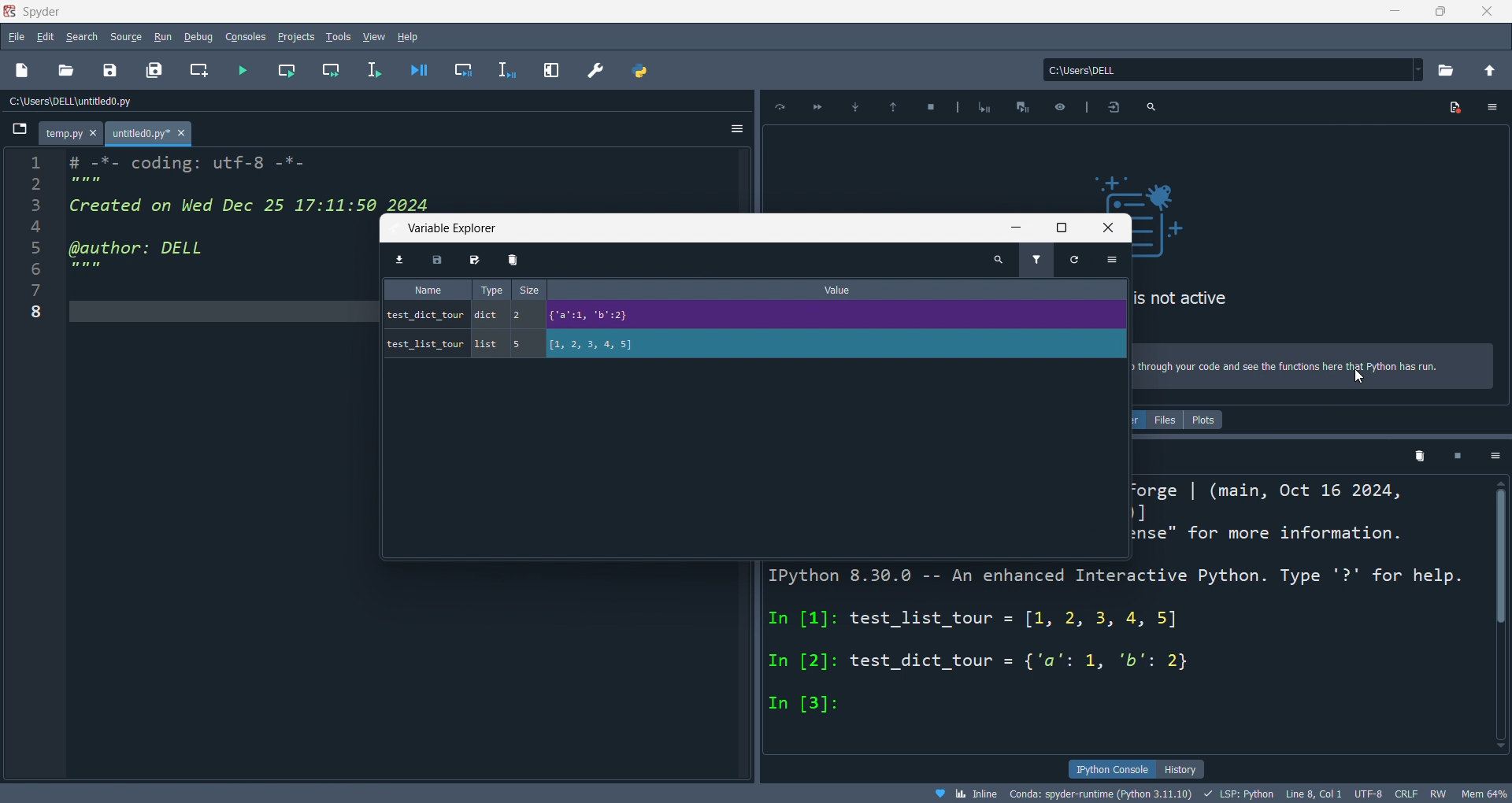 This screenshot has height=803, width=1512. What do you see at coordinates (1494, 455) in the screenshot?
I see `options` at bounding box center [1494, 455].